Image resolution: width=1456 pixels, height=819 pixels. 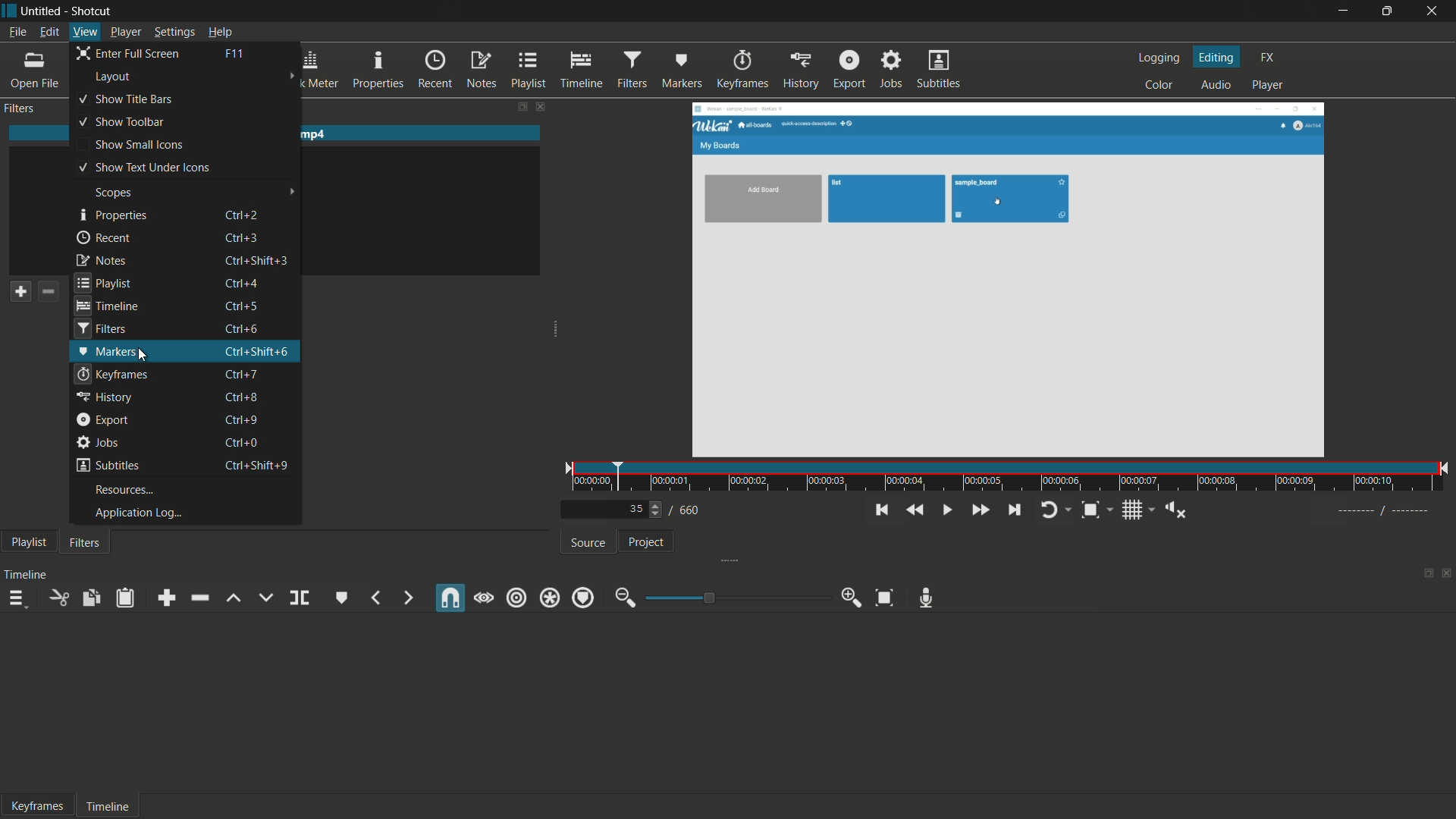 I want to click on notes, so click(x=482, y=71).